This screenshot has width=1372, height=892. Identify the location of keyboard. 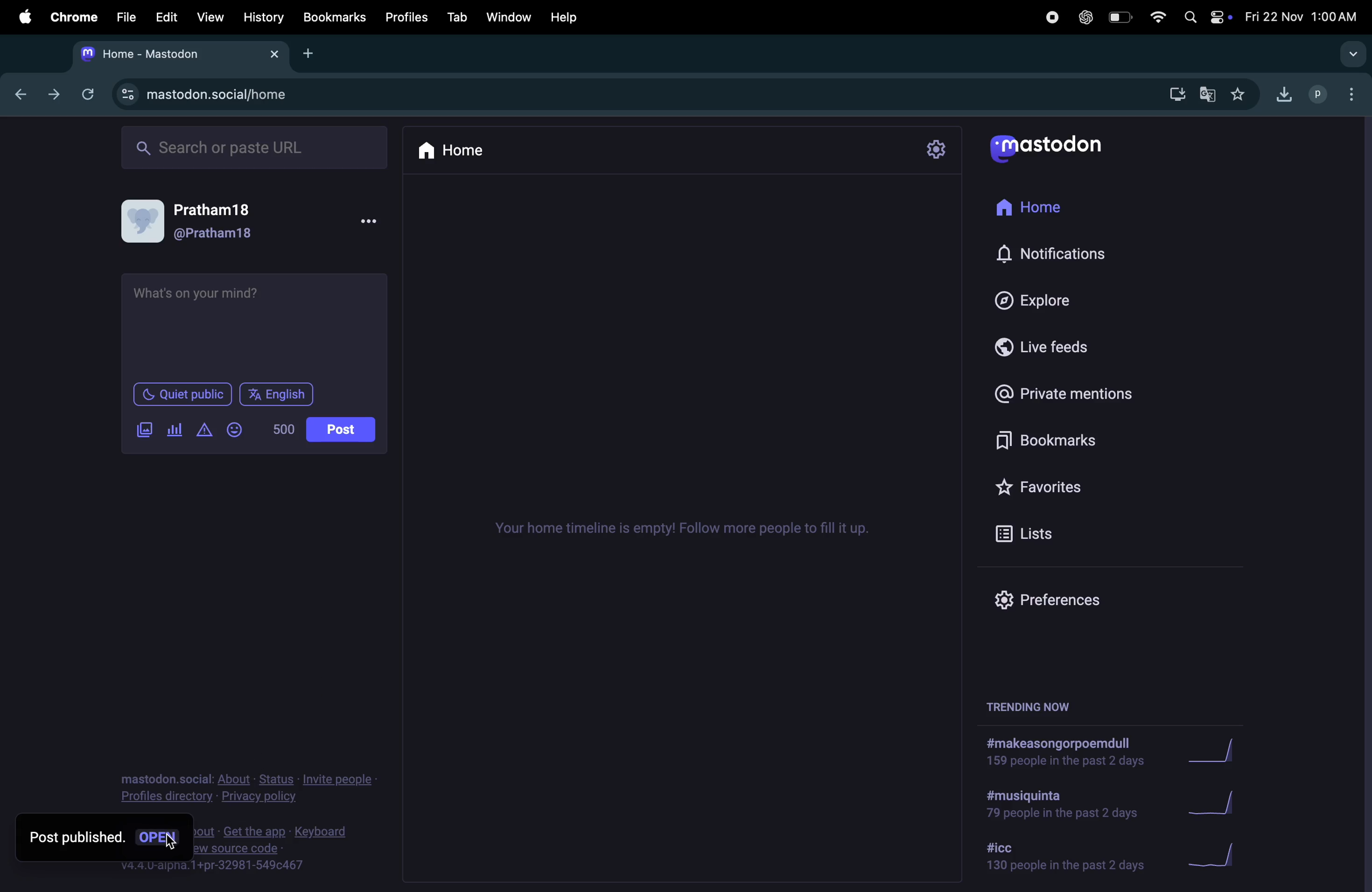
(323, 832).